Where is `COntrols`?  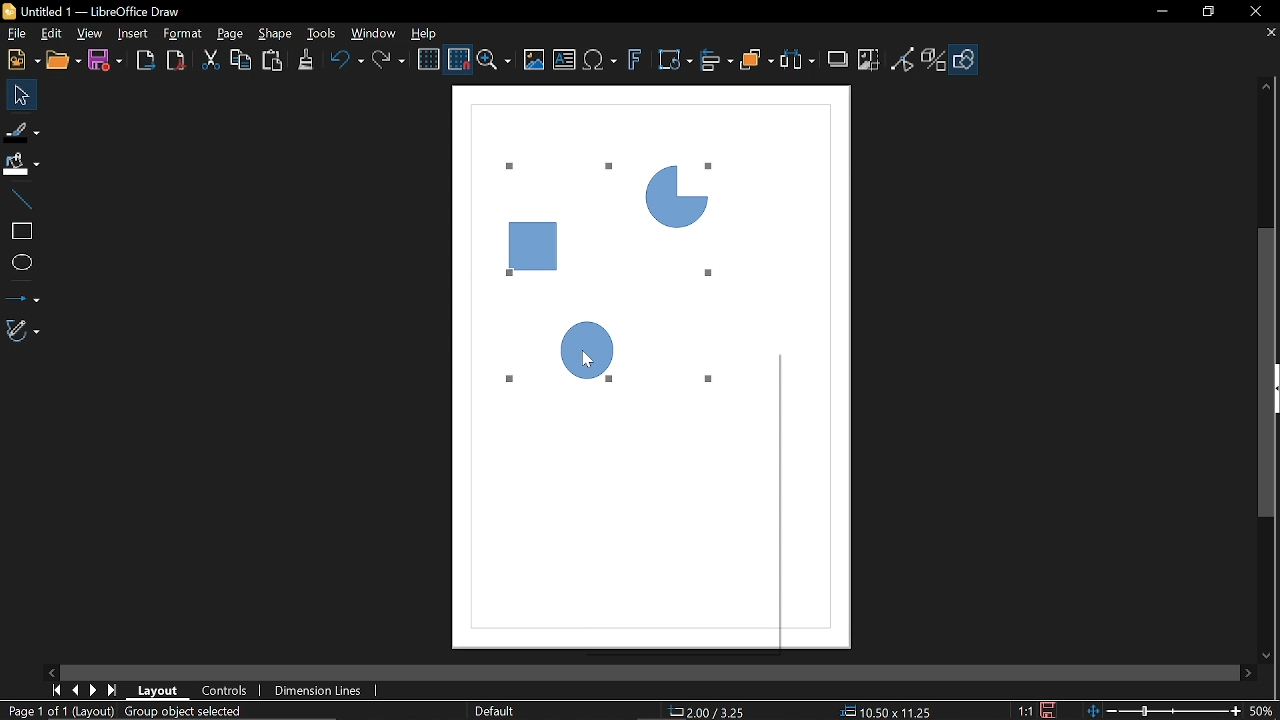
COntrols is located at coordinates (225, 691).